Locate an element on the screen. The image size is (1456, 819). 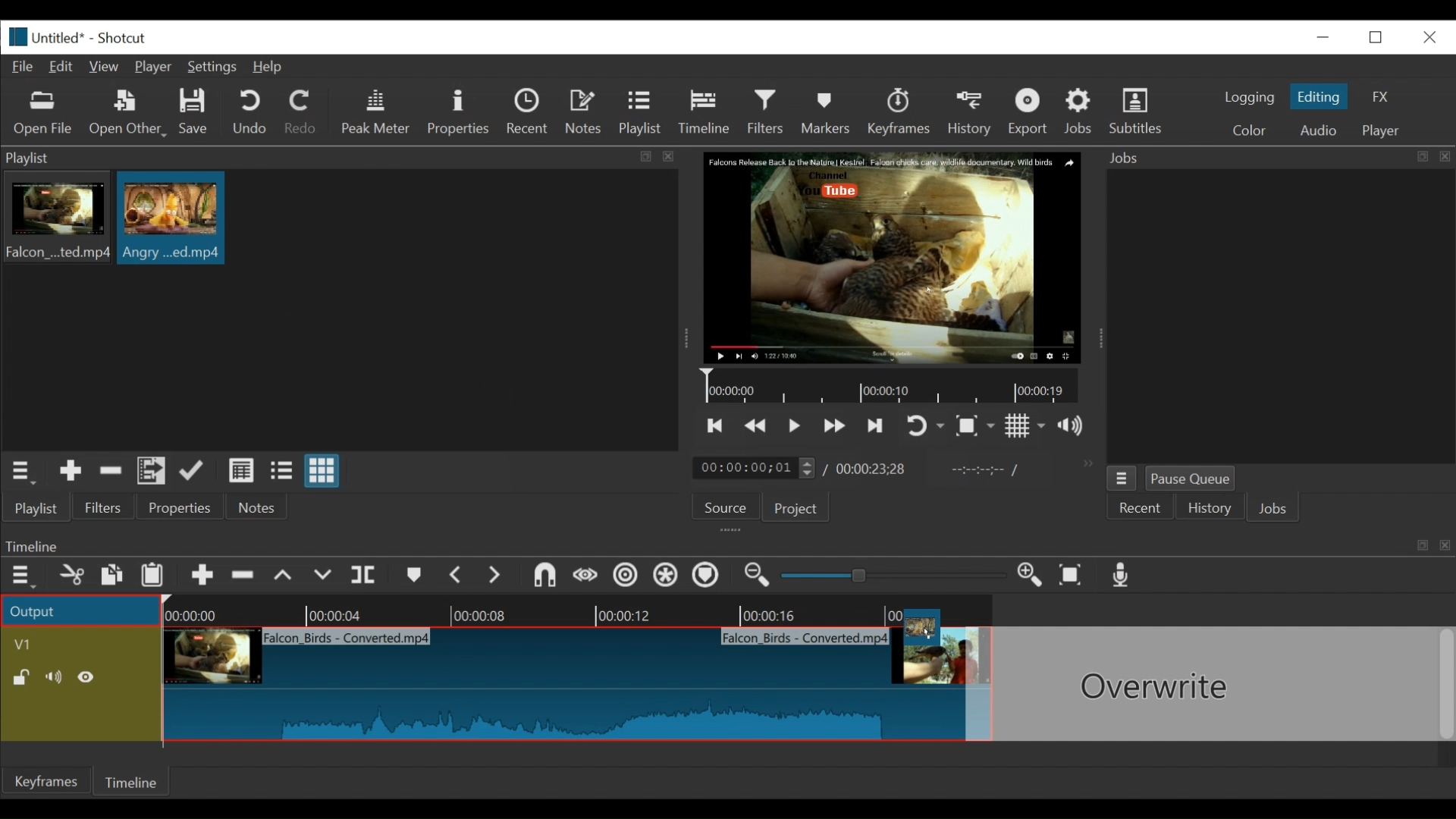
snap is located at coordinates (547, 577).